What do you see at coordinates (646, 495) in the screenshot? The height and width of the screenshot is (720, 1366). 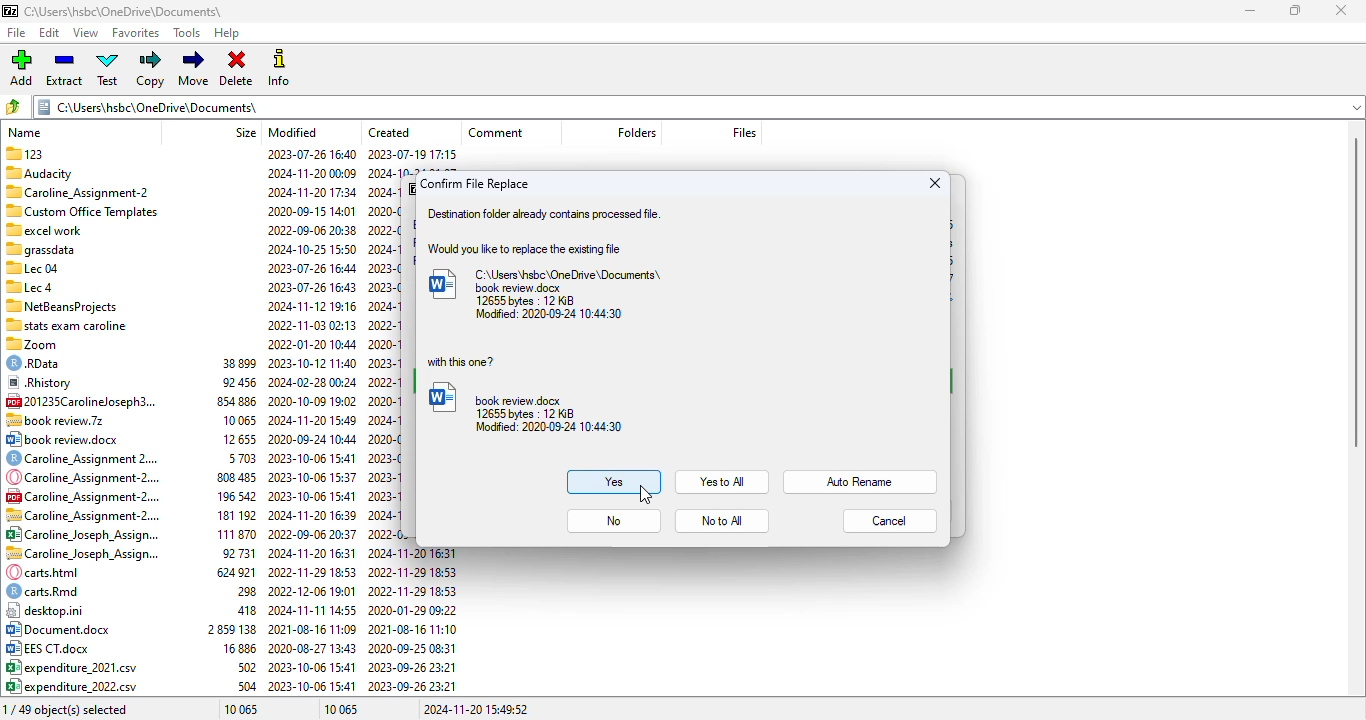 I see `cursor` at bounding box center [646, 495].